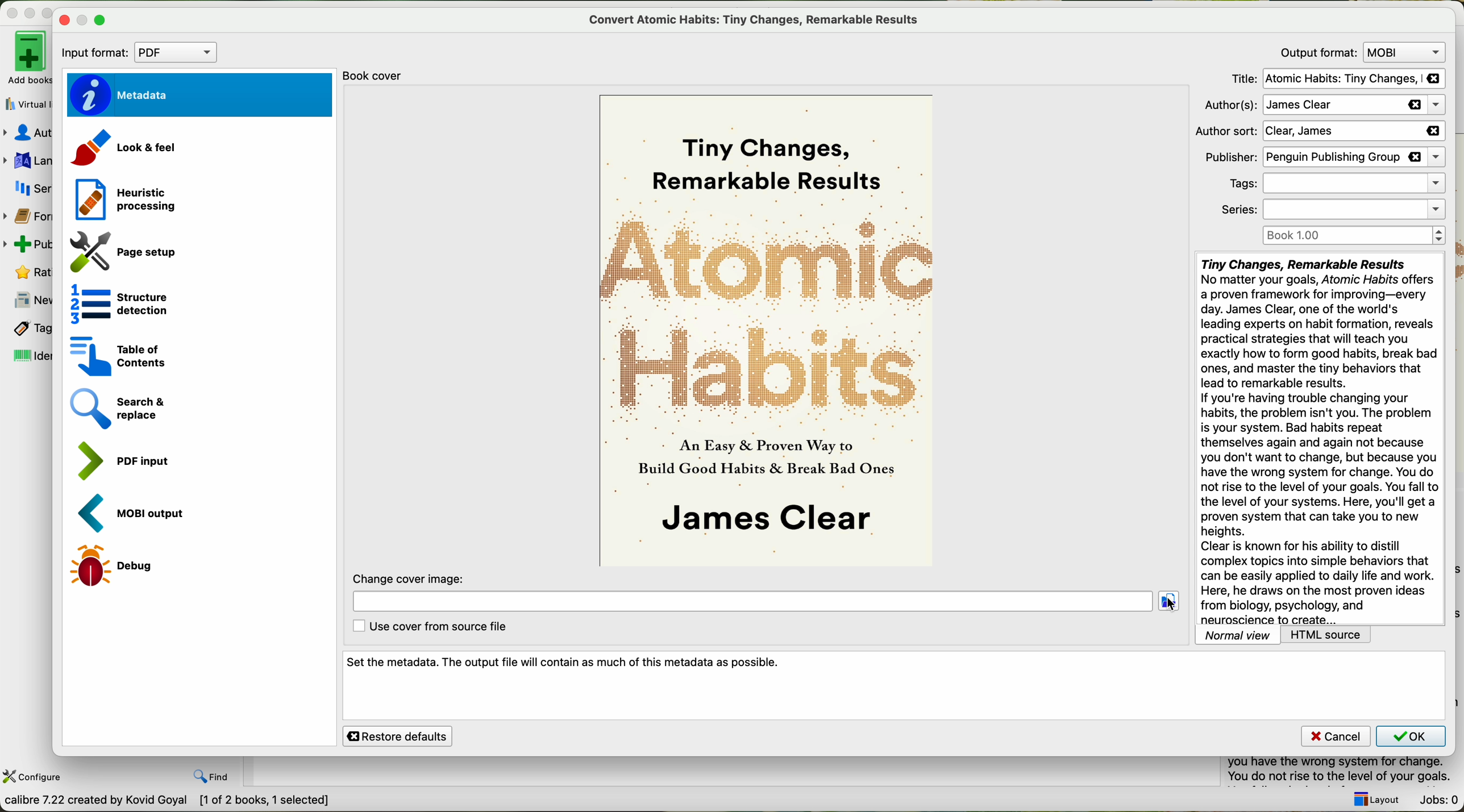 The width and height of the screenshot is (1464, 812). Describe the element at coordinates (101, 20) in the screenshot. I see `maximize` at that location.